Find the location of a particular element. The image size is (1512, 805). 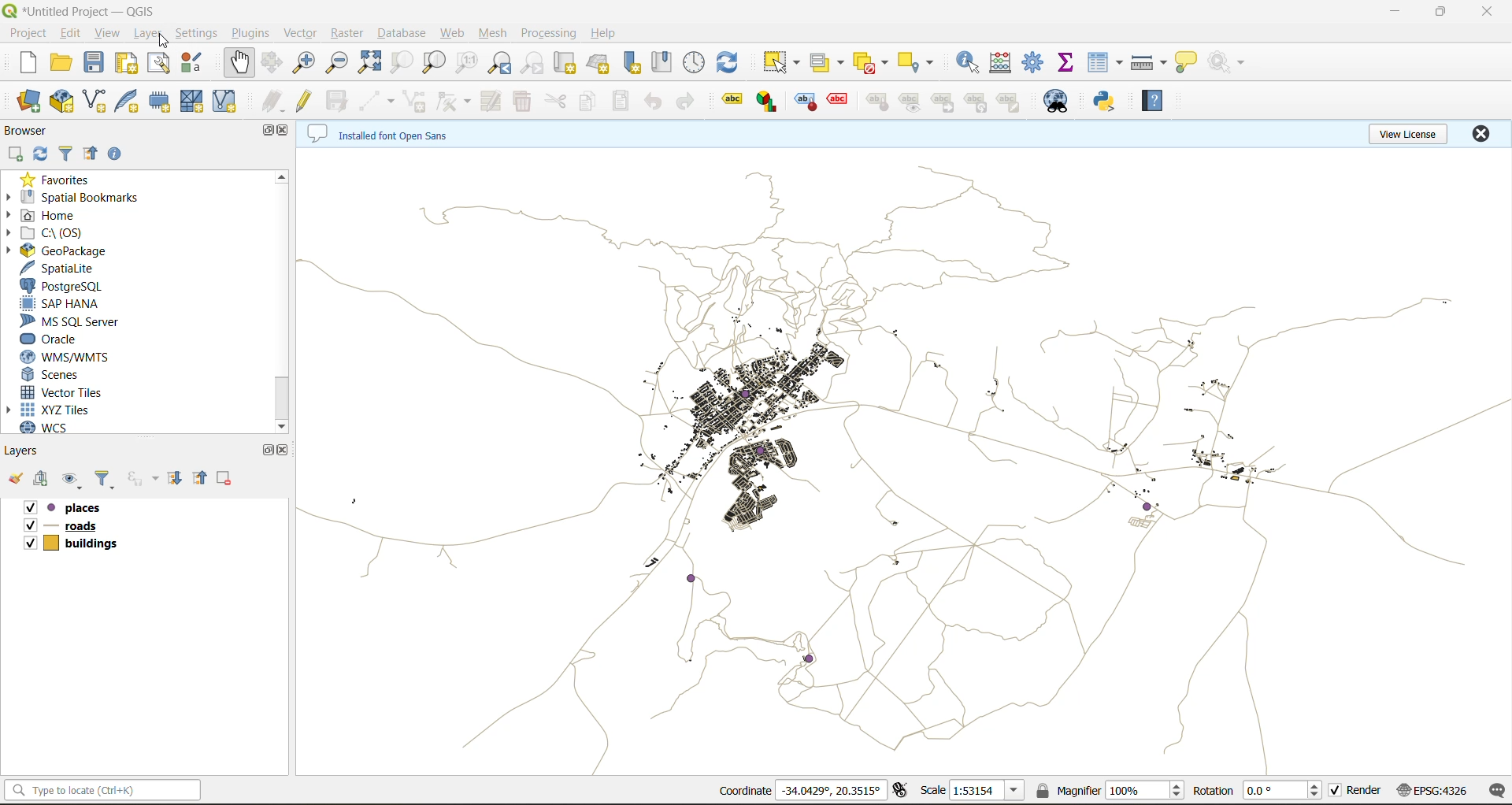

manage map is located at coordinates (72, 480).